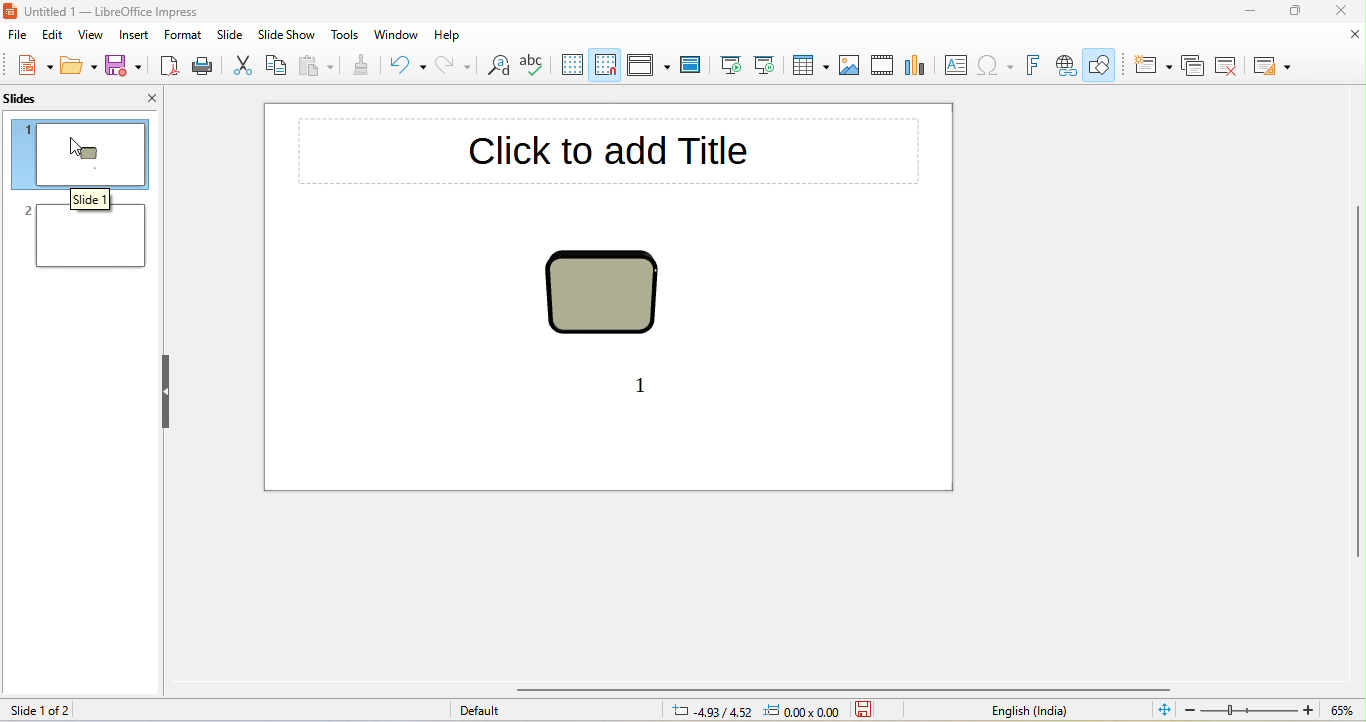 Image resolution: width=1366 pixels, height=722 pixels. What do you see at coordinates (602, 291) in the screenshot?
I see `shape` at bounding box center [602, 291].